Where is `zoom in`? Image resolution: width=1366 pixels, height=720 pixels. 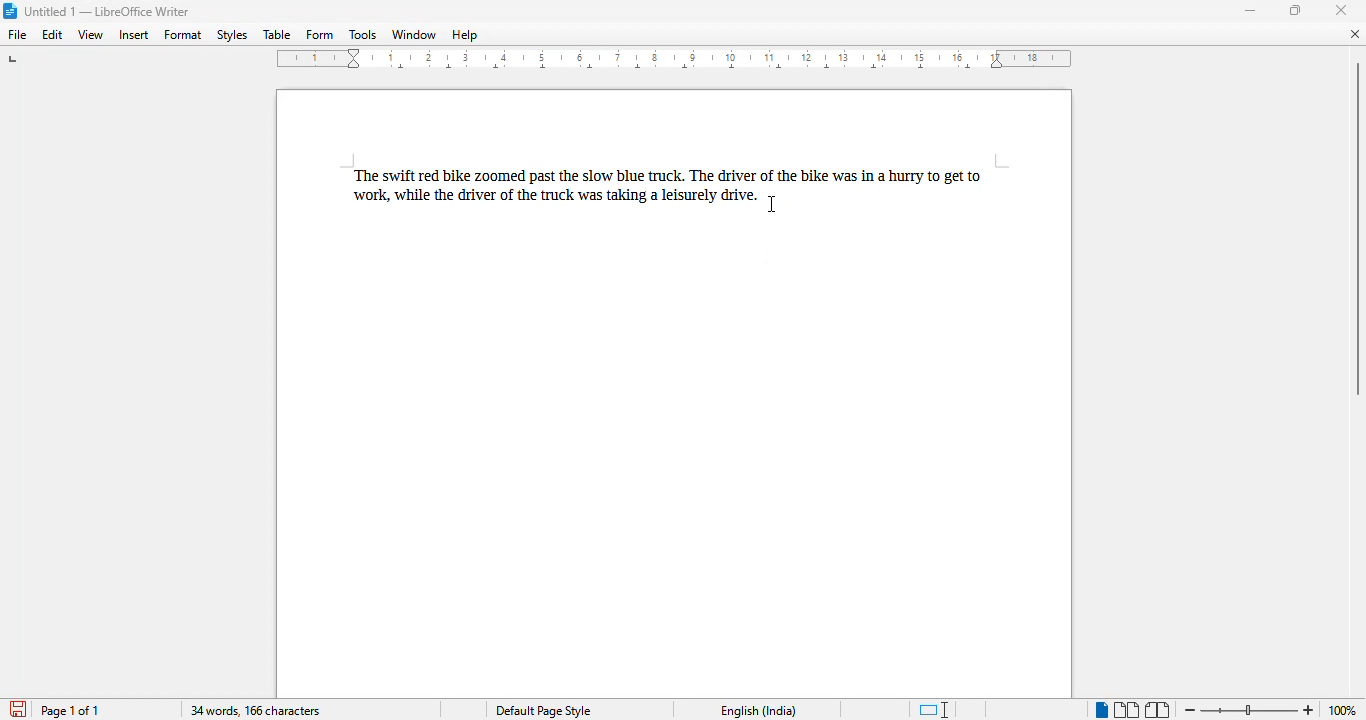
zoom in is located at coordinates (1309, 709).